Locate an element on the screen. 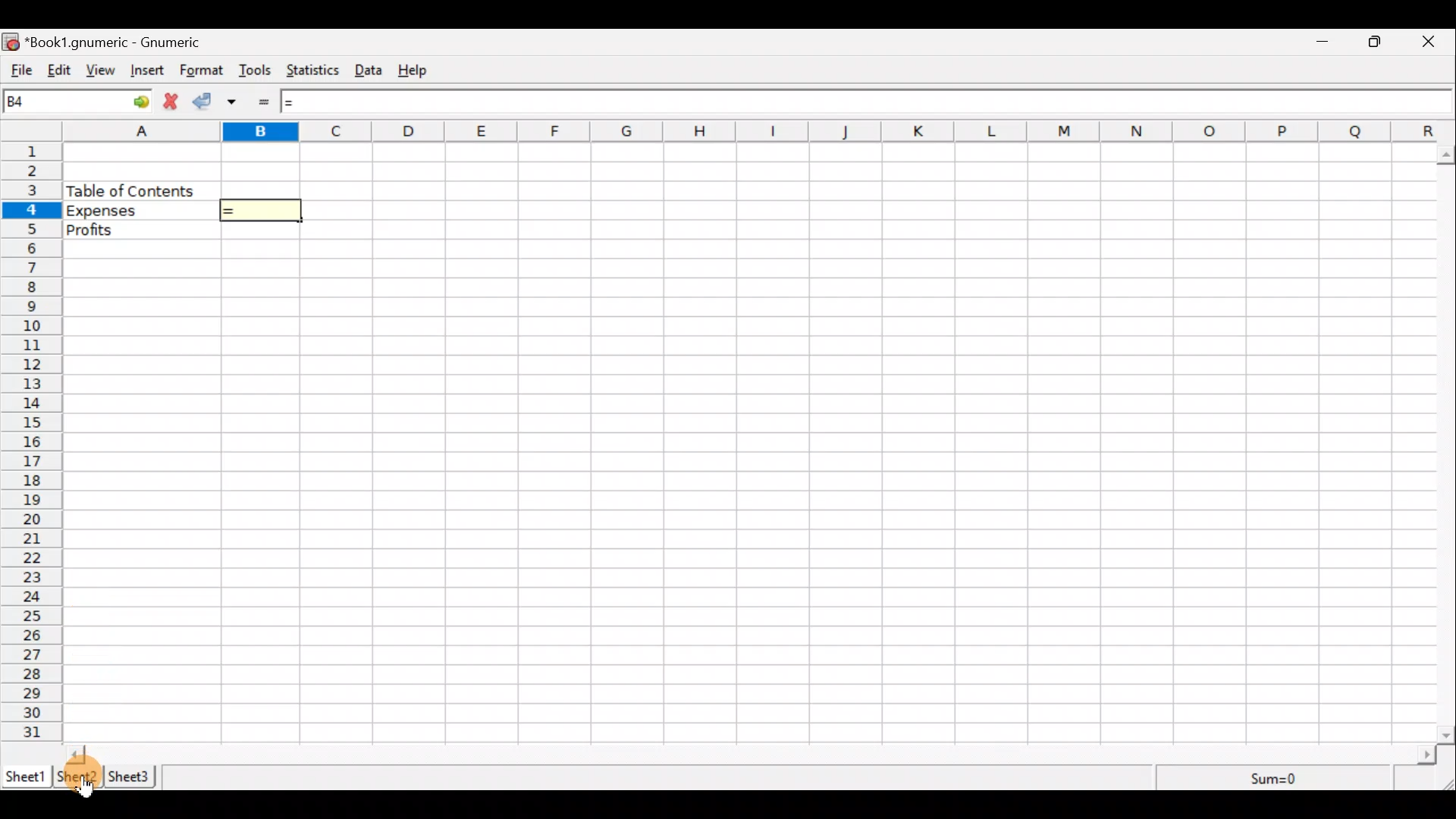 Image resolution: width=1456 pixels, height=819 pixels. numbering column is located at coordinates (30, 444).